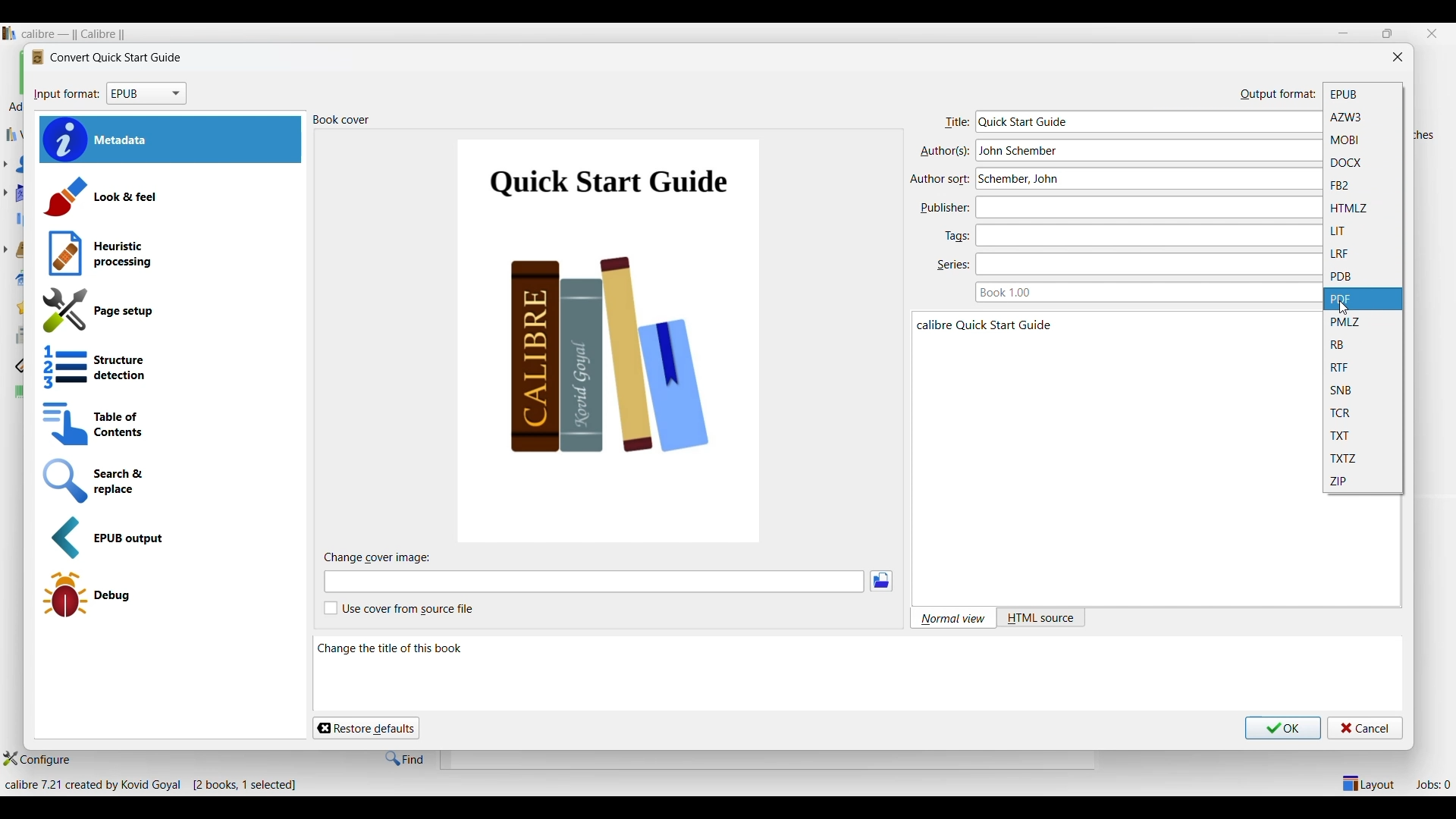 This screenshot has width=1456, height=819. Describe the element at coordinates (1126, 264) in the screenshot. I see `Type in series` at that location.